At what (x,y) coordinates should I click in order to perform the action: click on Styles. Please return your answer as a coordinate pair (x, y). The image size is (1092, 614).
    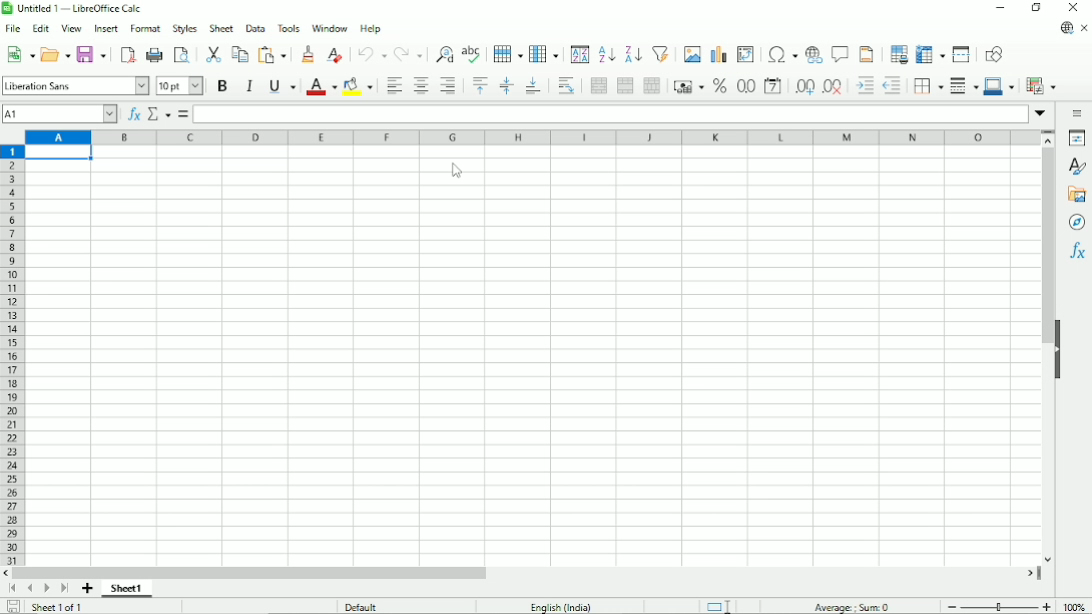
    Looking at the image, I should click on (184, 28).